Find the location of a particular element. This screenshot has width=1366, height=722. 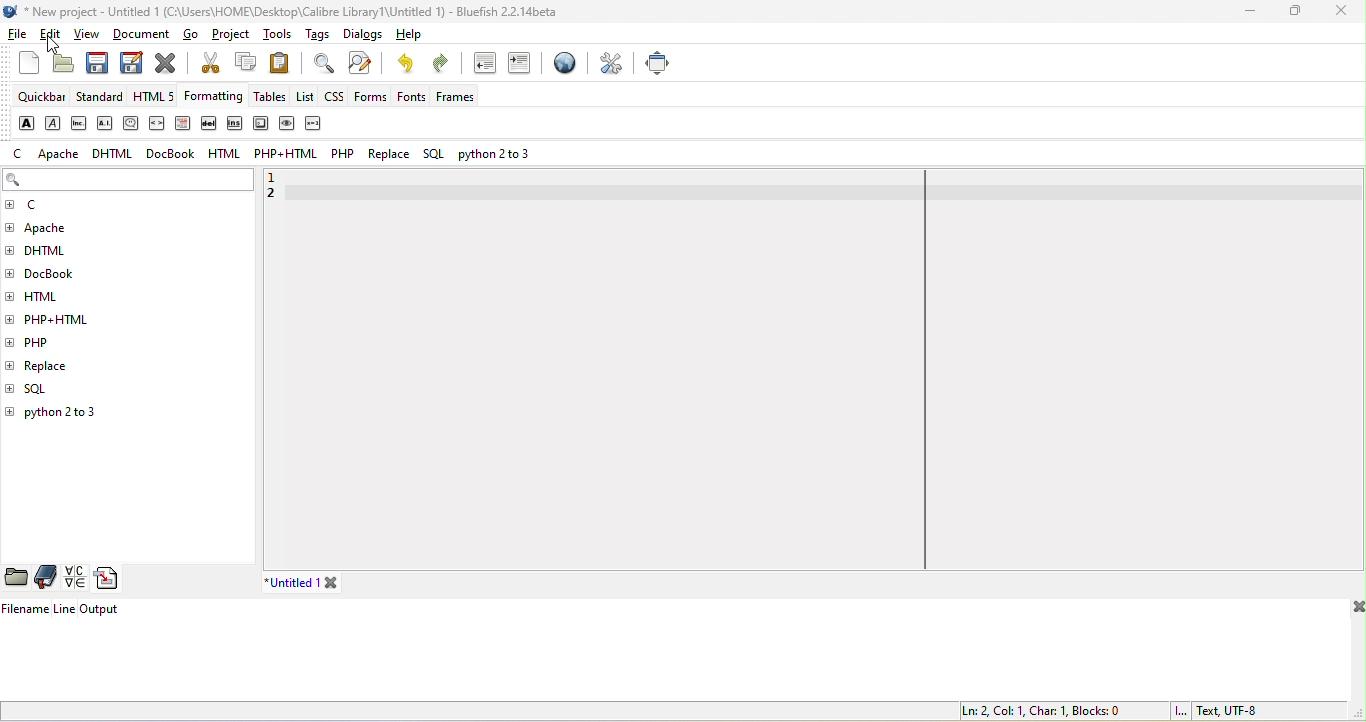

html is located at coordinates (51, 294).